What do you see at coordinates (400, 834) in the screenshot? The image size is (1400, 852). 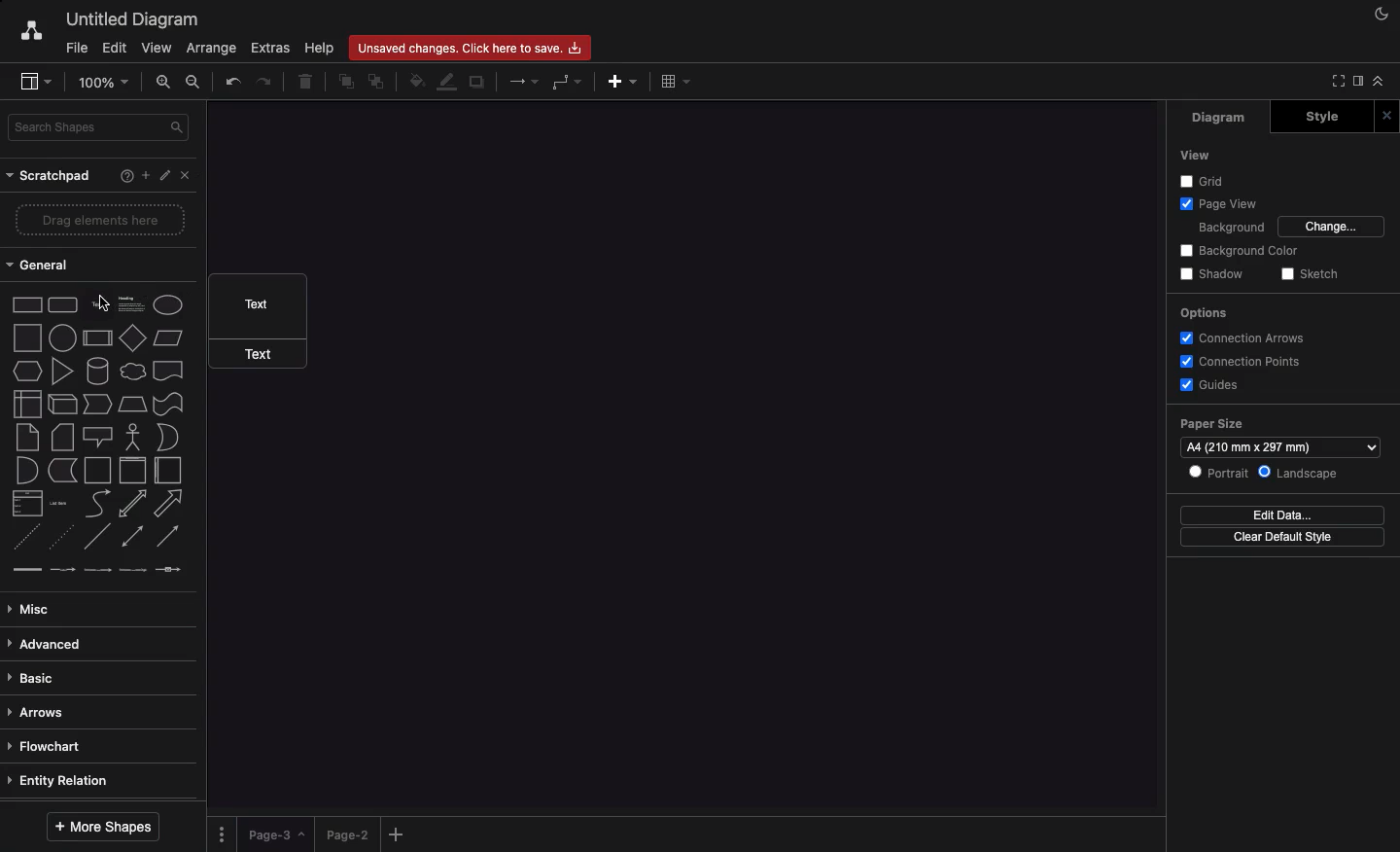 I see `Add` at bounding box center [400, 834].